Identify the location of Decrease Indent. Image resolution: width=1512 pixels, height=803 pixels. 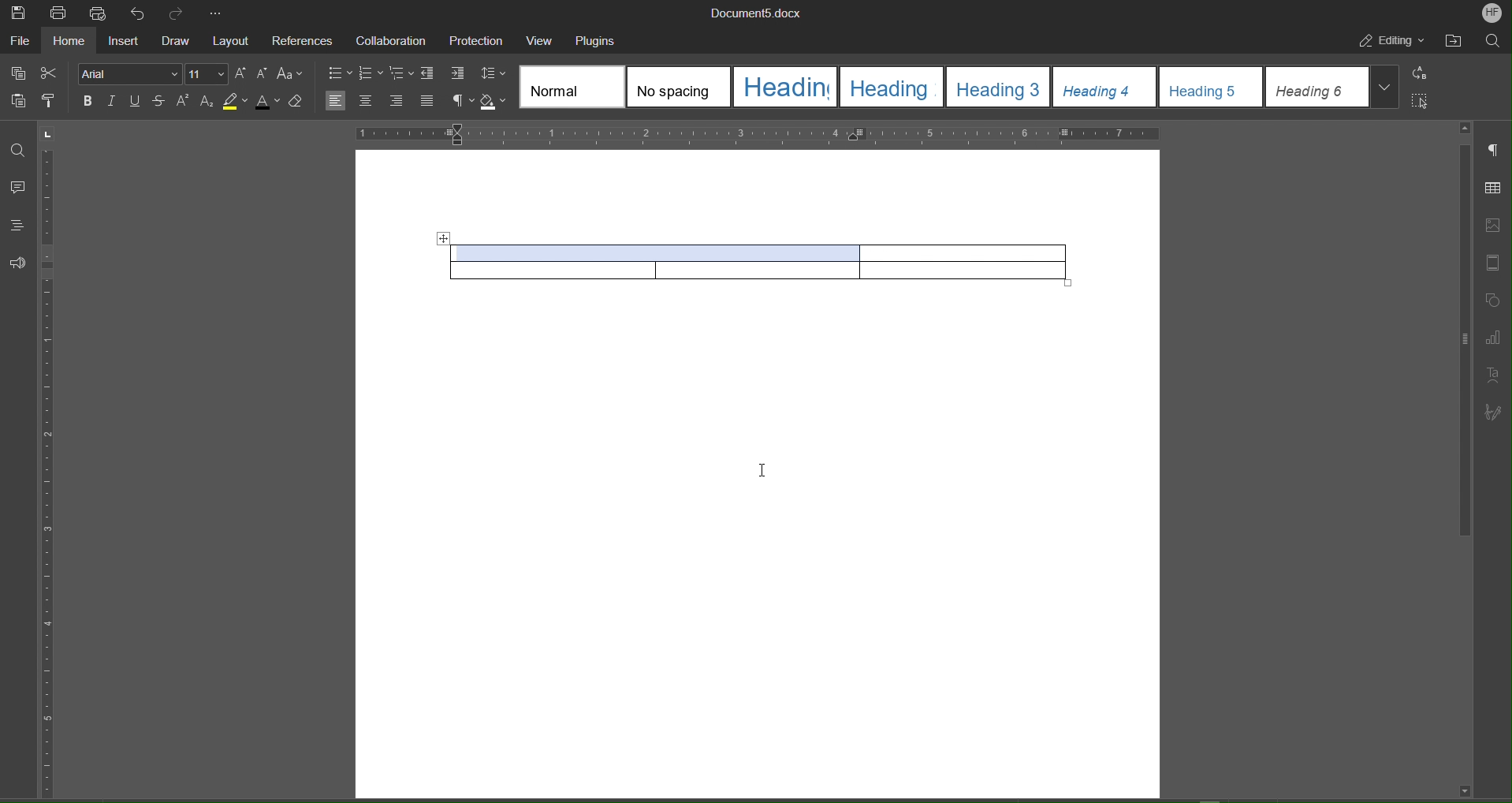
(430, 74).